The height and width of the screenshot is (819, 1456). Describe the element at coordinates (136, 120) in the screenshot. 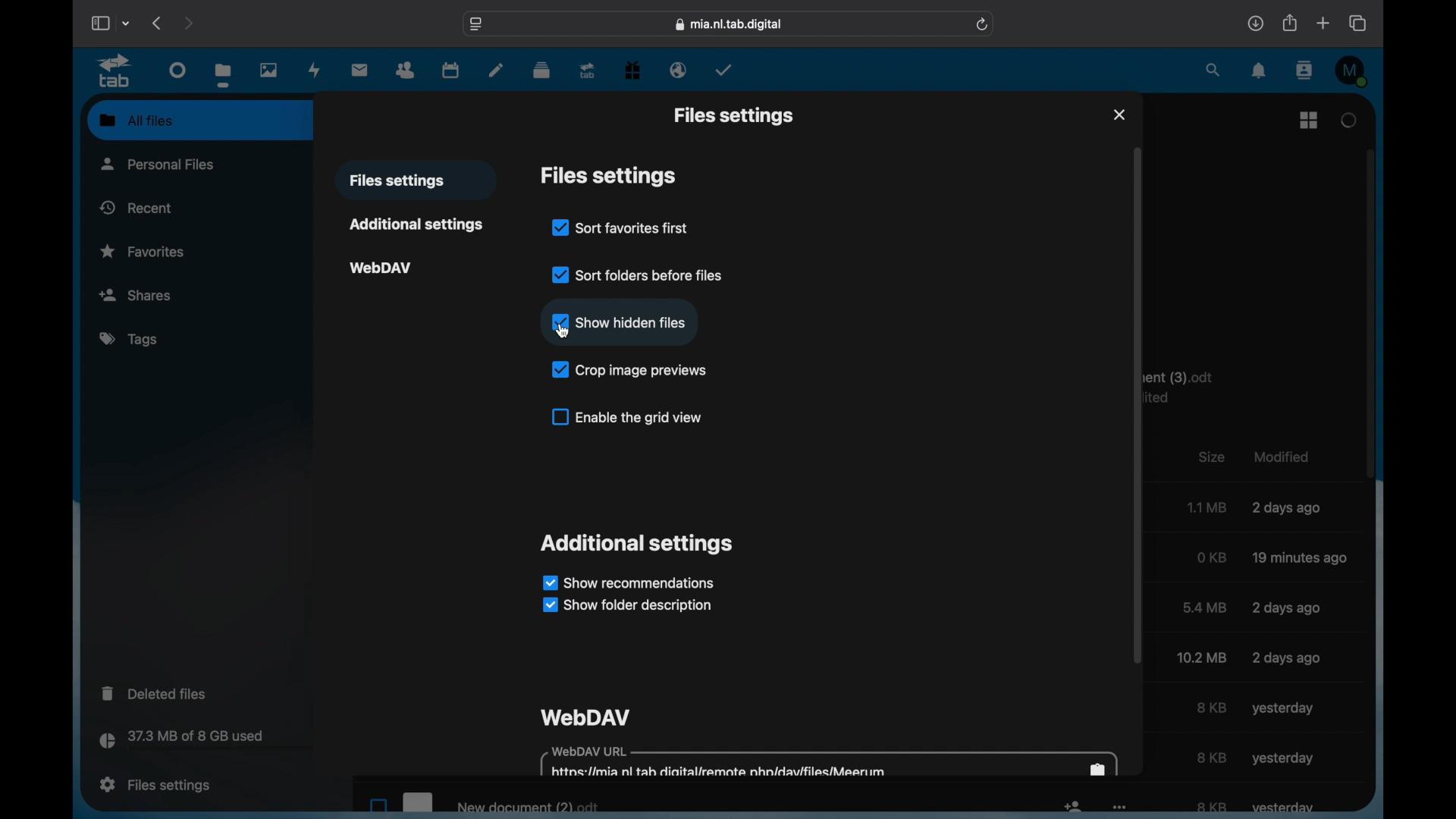

I see `all files` at that location.